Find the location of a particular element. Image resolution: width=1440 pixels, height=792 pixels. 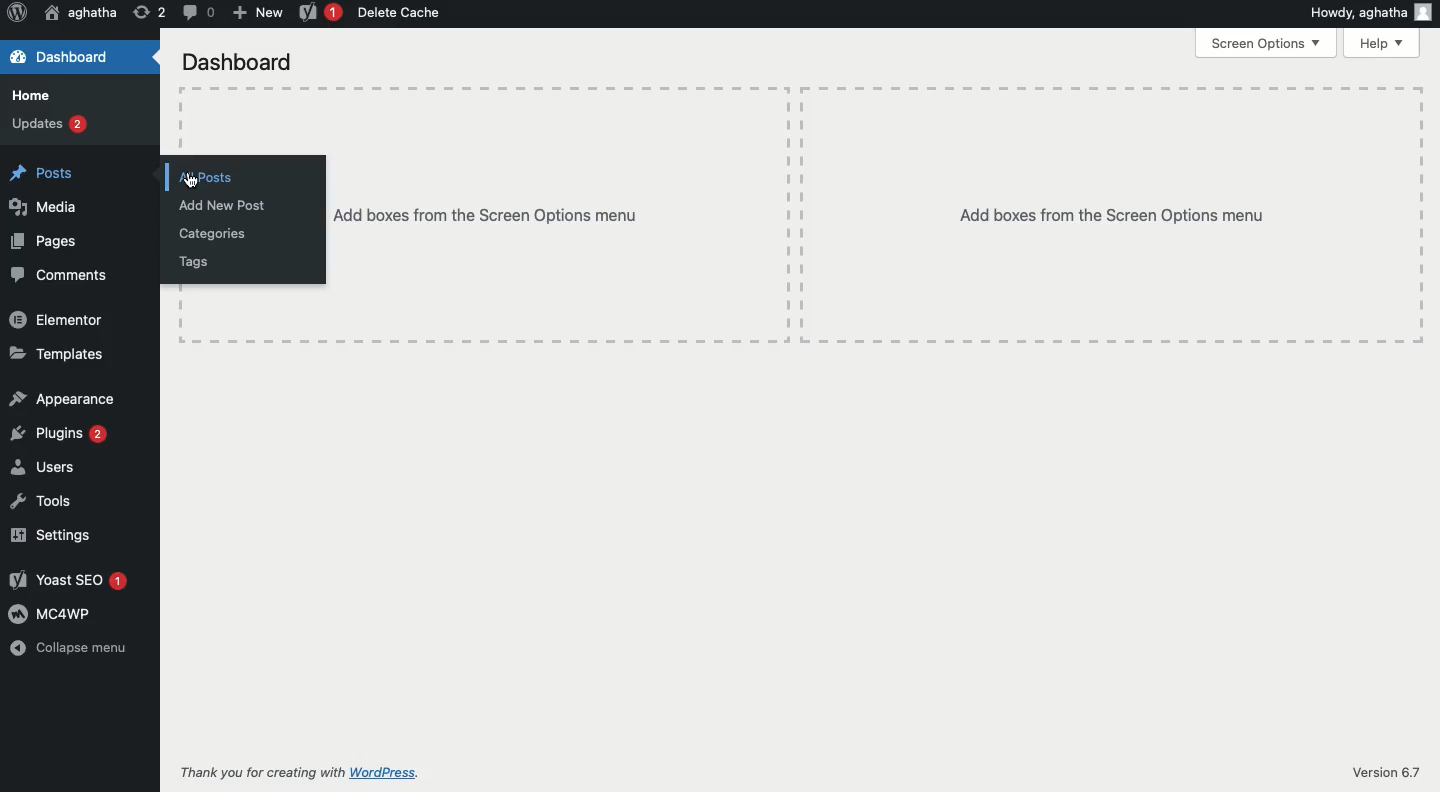

Posts is located at coordinates (47, 170).